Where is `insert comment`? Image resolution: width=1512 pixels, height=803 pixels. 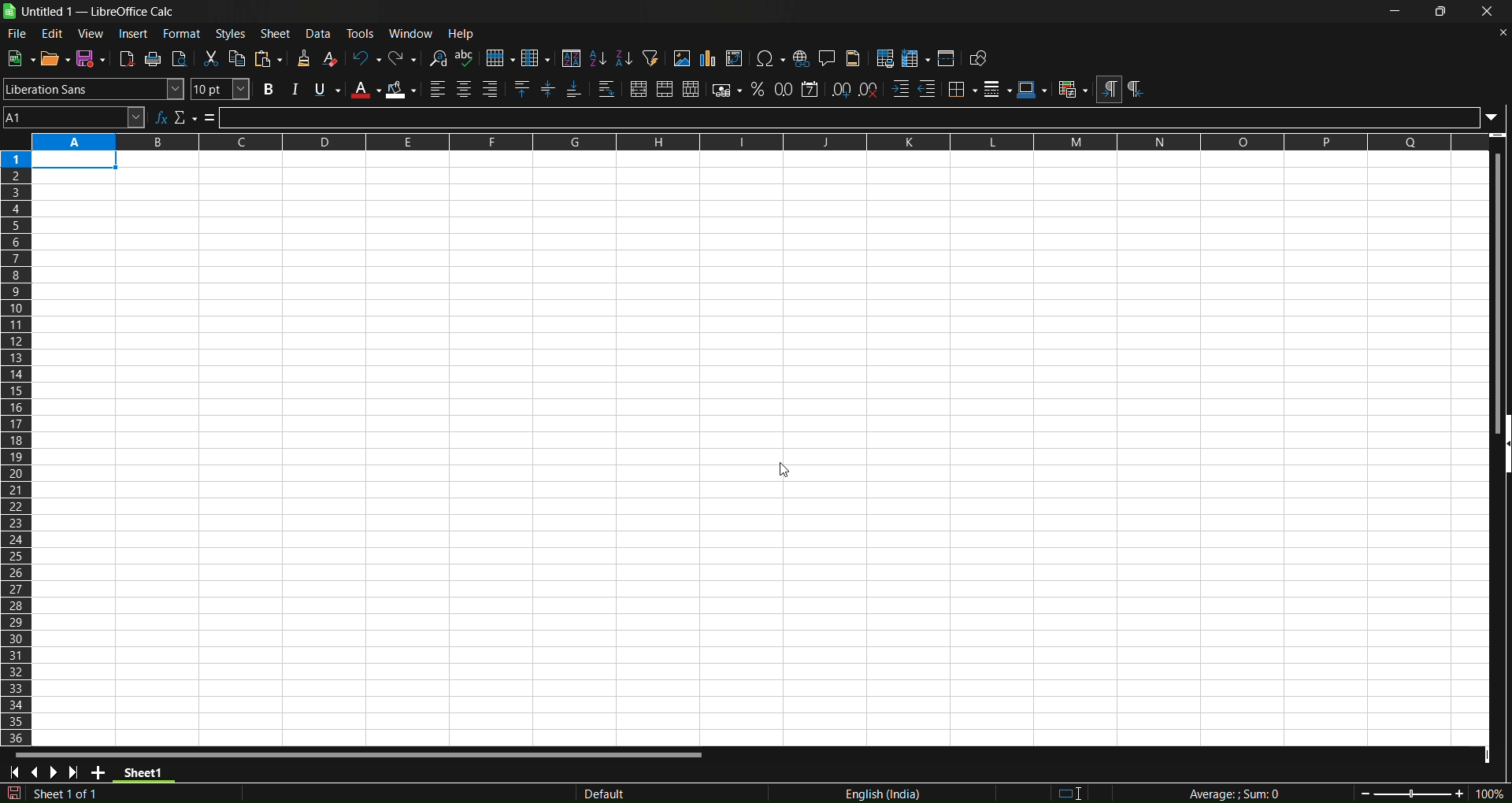
insert comment is located at coordinates (827, 57).